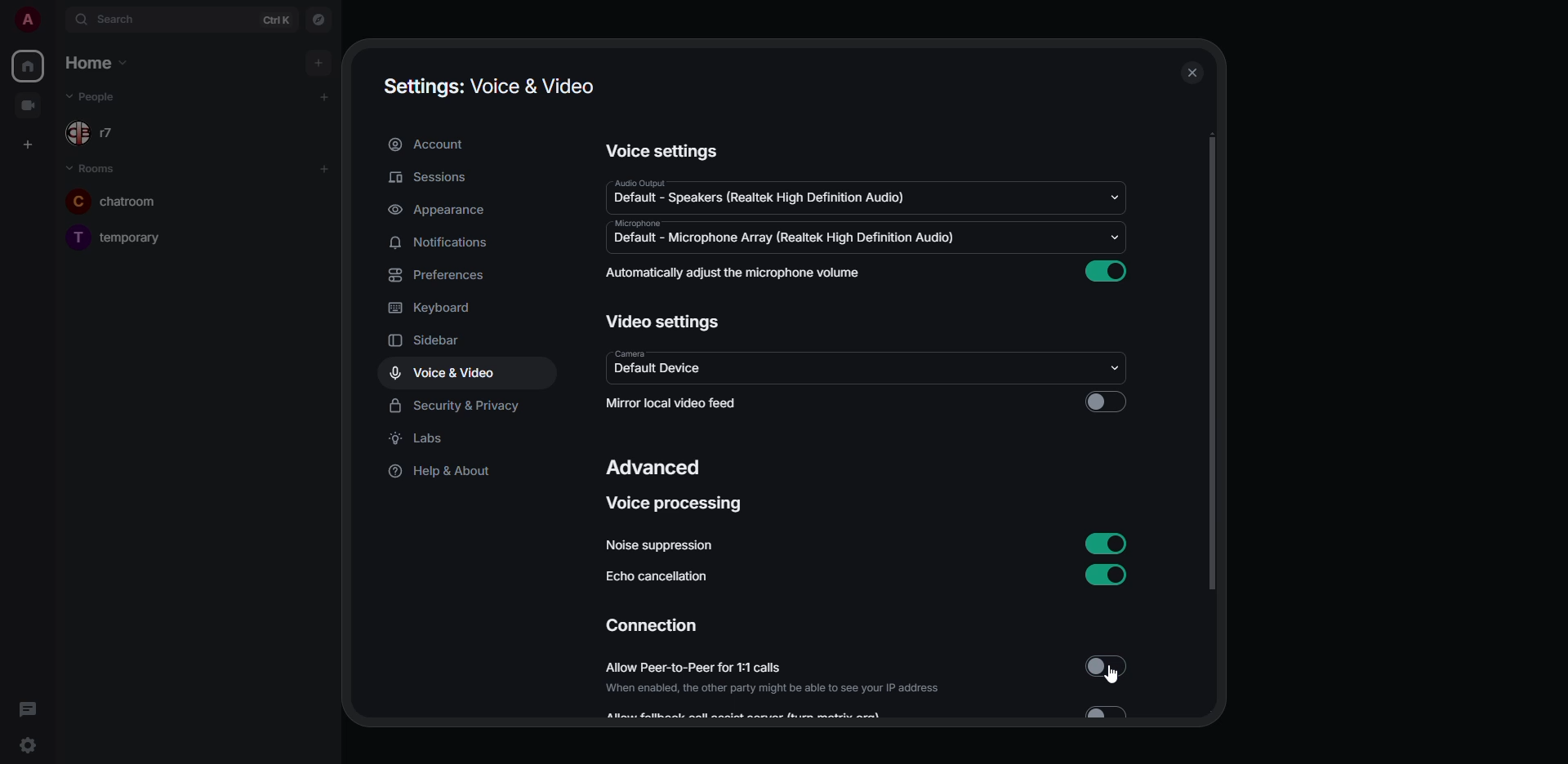  I want to click on enabled, so click(1108, 543).